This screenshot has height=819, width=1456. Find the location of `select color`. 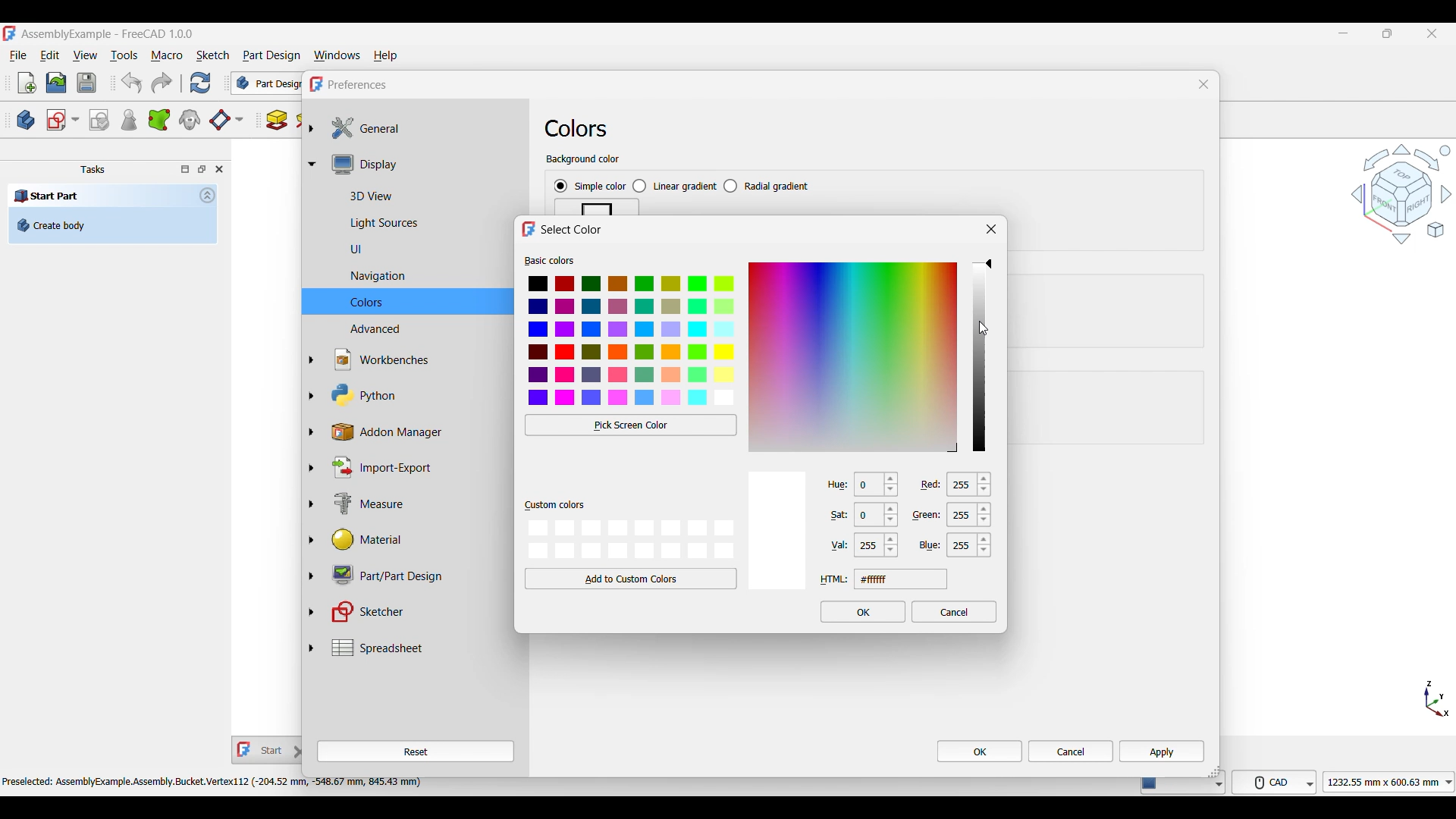

select color is located at coordinates (573, 230).